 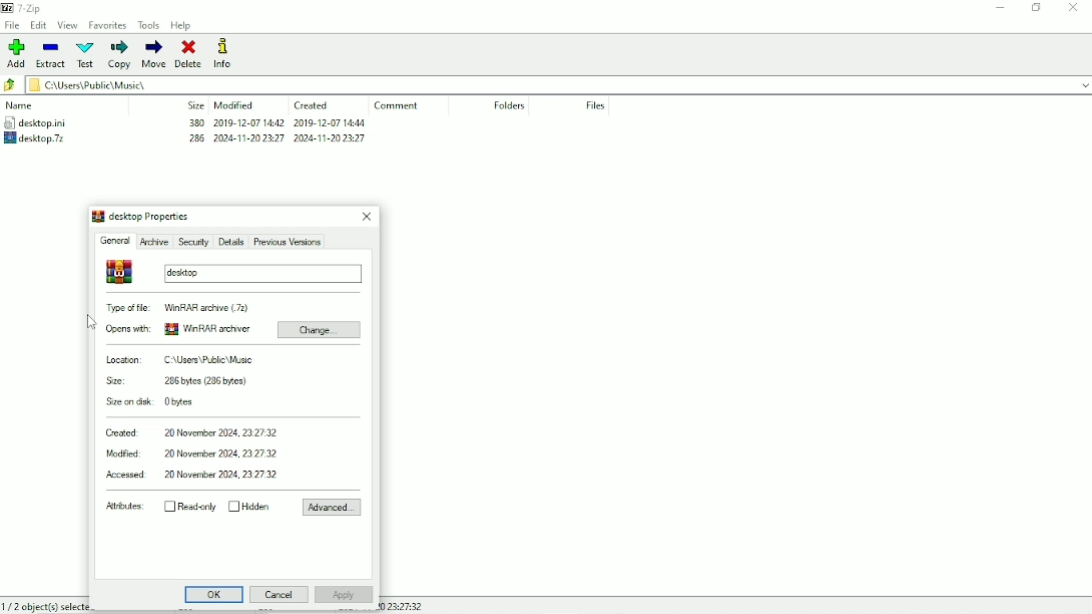 What do you see at coordinates (118, 54) in the screenshot?
I see `Copy` at bounding box center [118, 54].